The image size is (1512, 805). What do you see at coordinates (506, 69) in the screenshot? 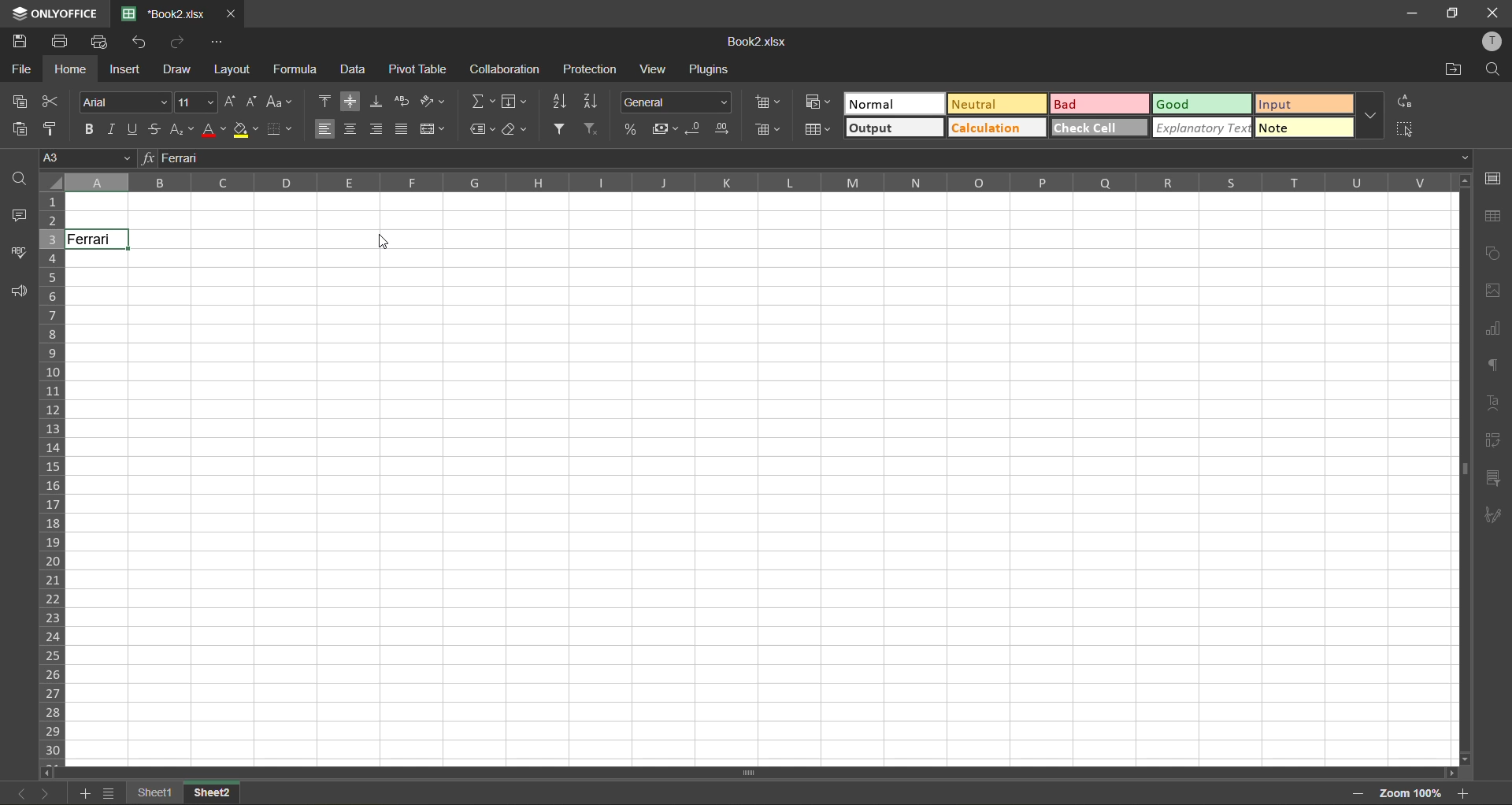
I see `collaboration` at bounding box center [506, 69].